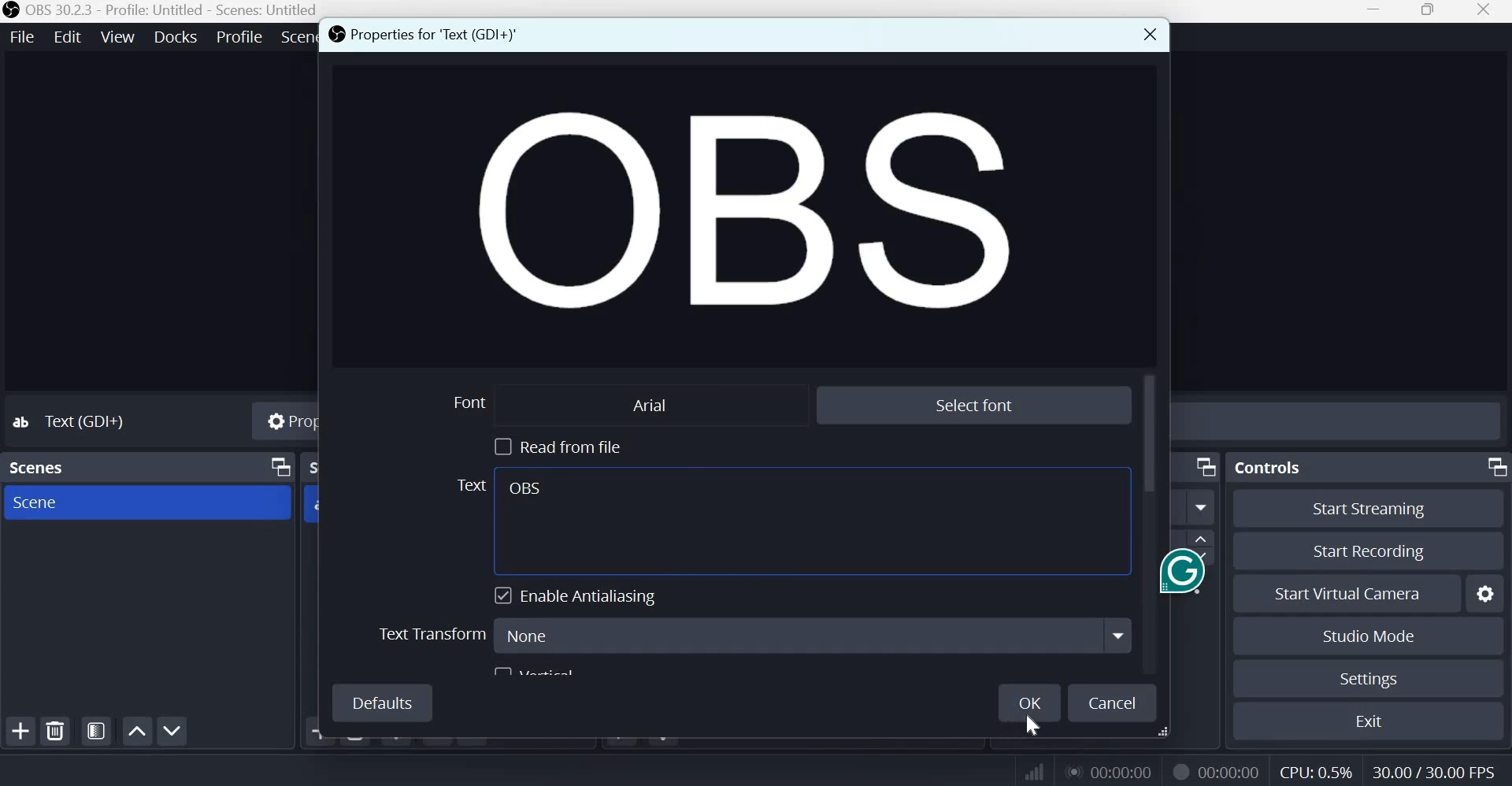  What do you see at coordinates (1269, 468) in the screenshot?
I see `Controls` at bounding box center [1269, 468].